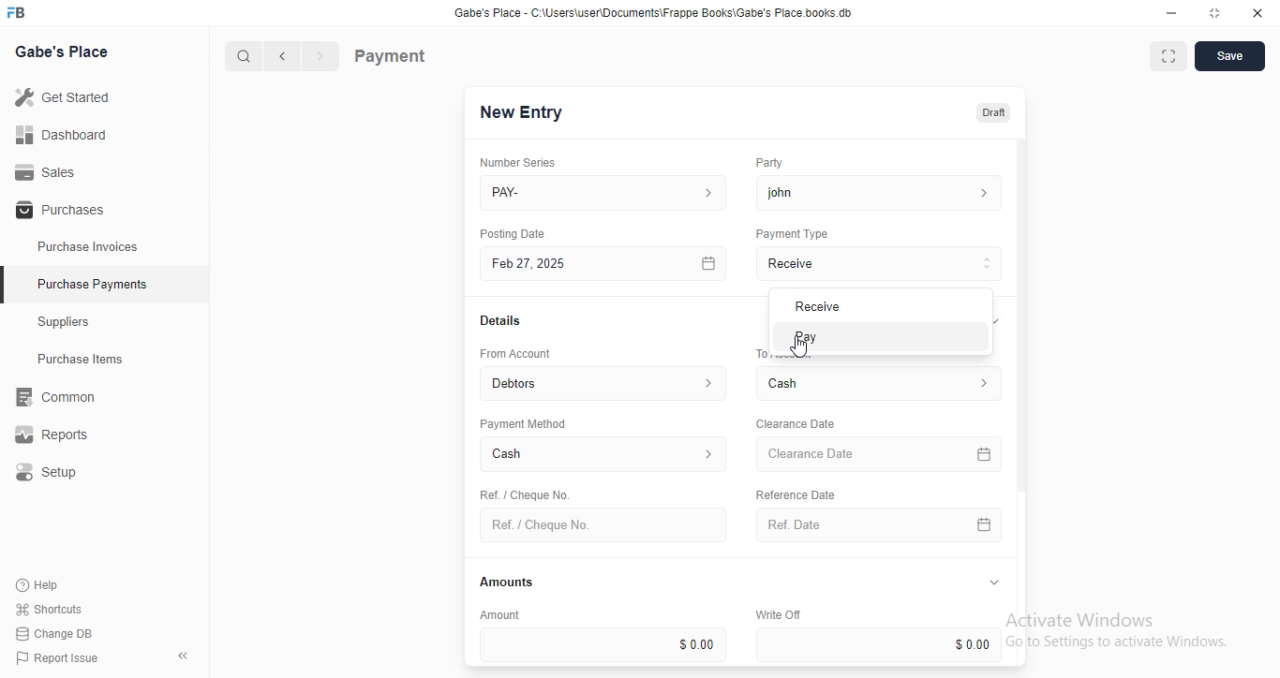 The width and height of the screenshot is (1280, 678). I want to click on Clearance Date, so click(794, 424).